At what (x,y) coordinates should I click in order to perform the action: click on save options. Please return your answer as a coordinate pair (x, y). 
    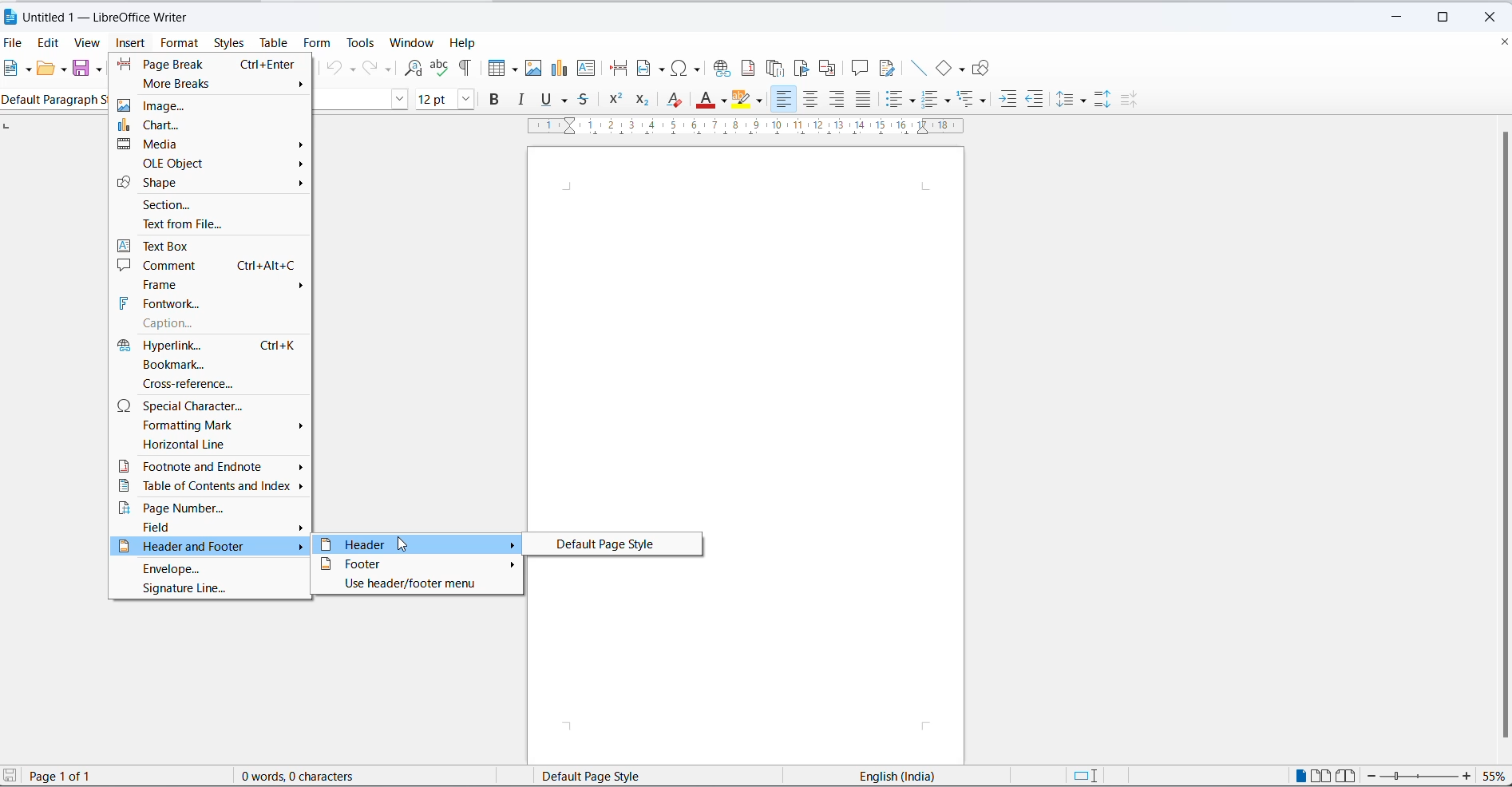
    Looking at the image, I should click on (100, 69).